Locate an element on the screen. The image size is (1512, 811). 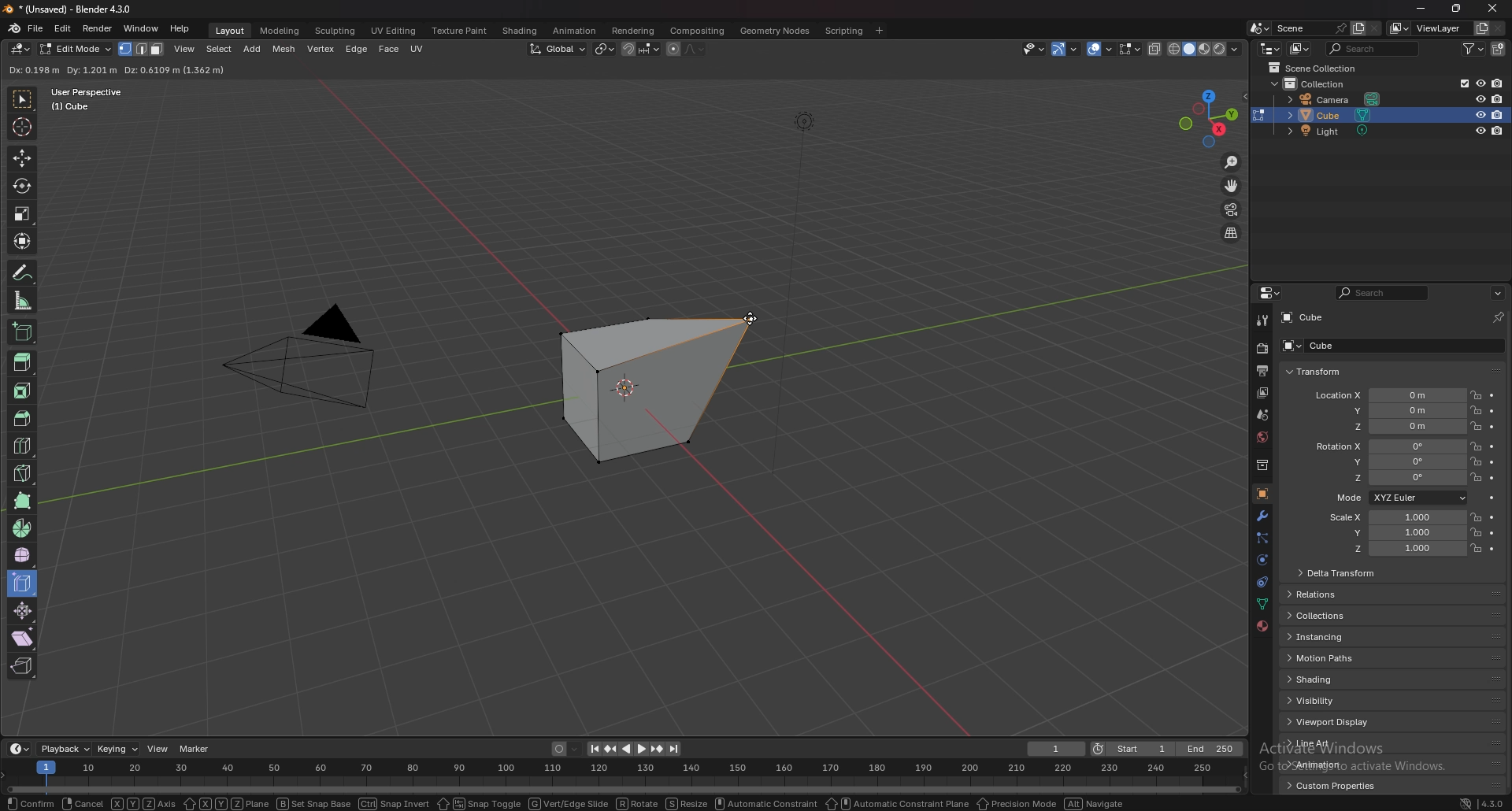
selectibility and visibility is located at coordinates (1058, 50).